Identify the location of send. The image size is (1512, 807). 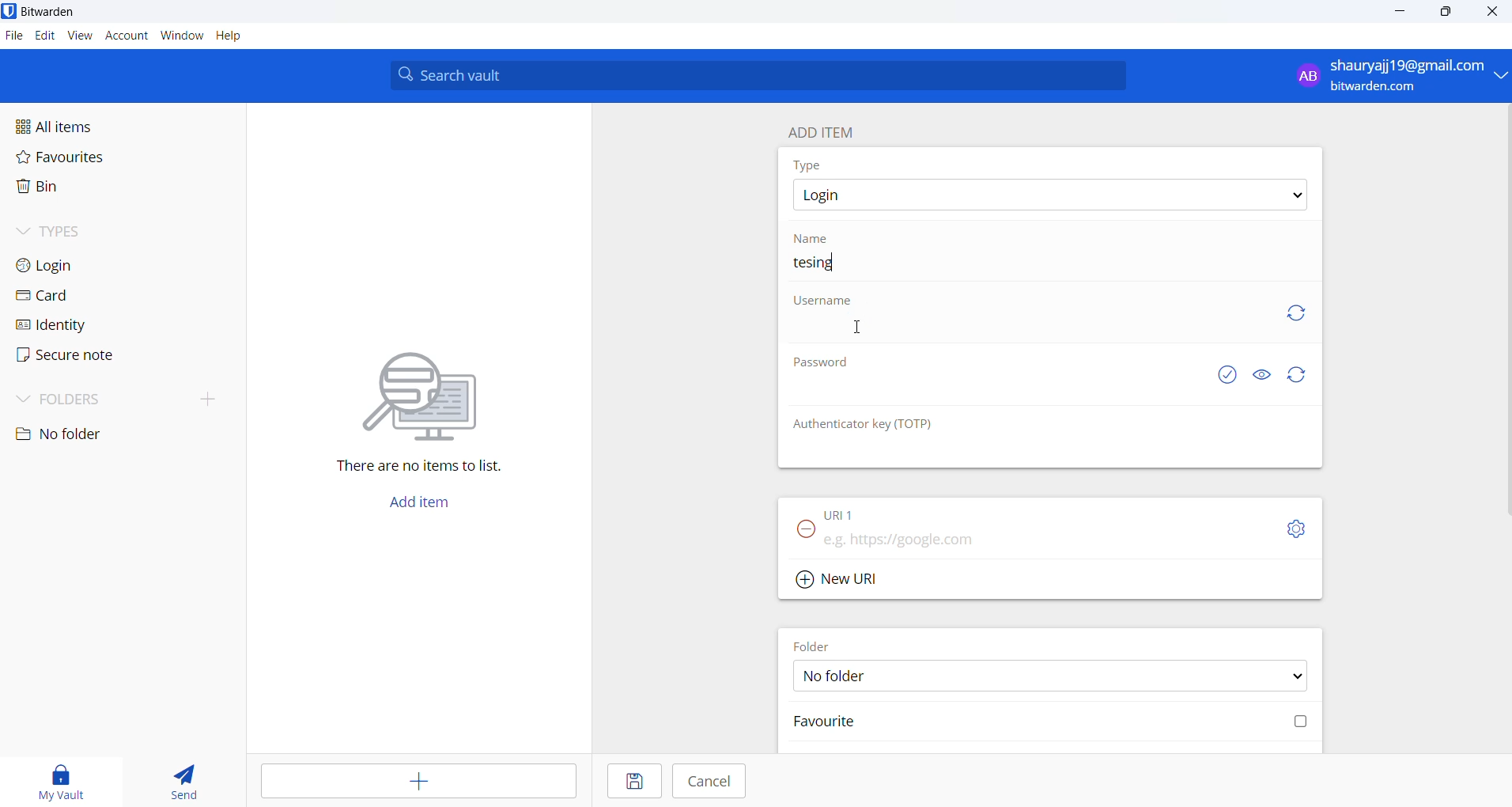
(176, 777).